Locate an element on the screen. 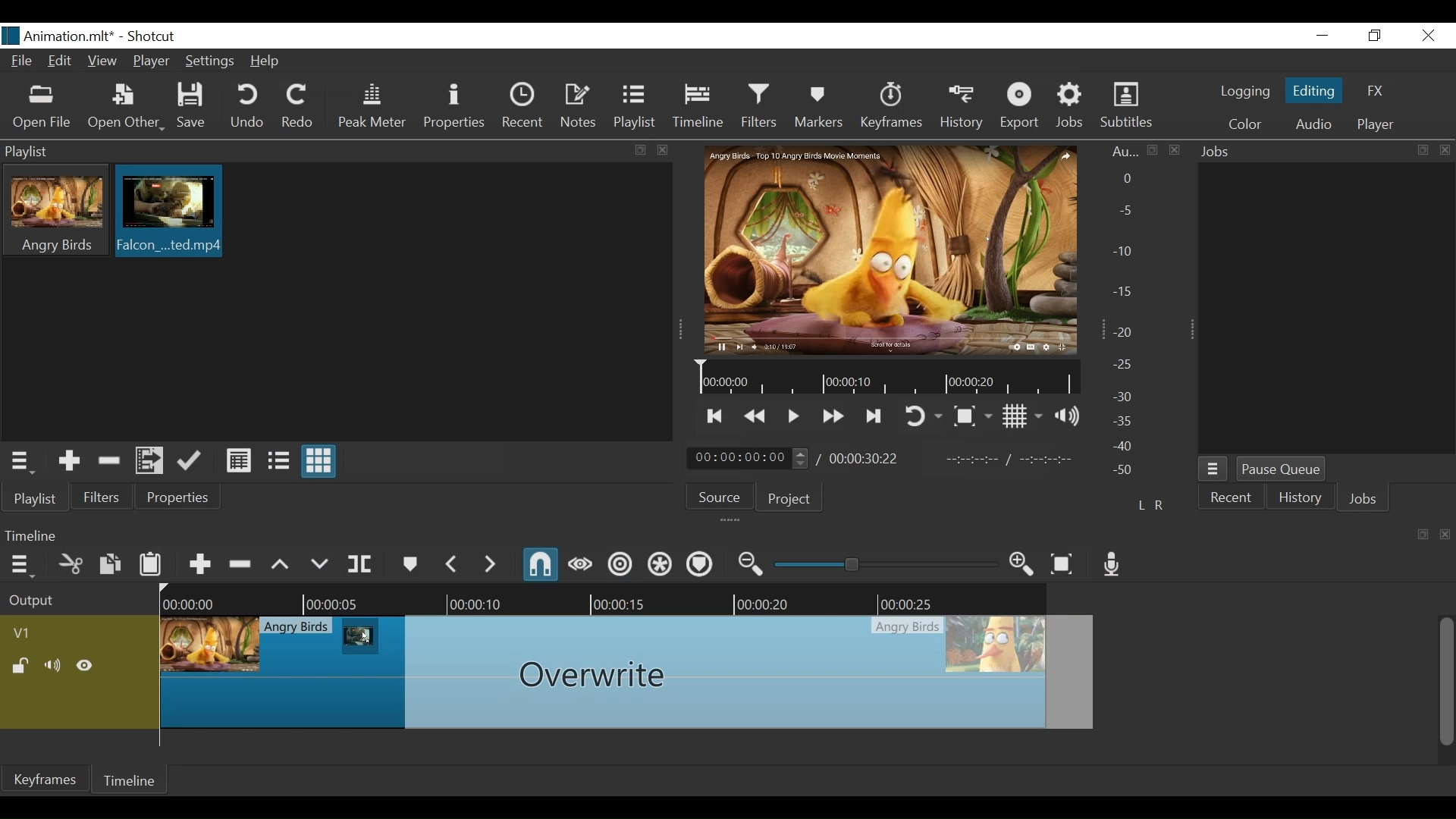 The height and width of the screenshot is (819, 1456). logging is located at coordinates (1244, 93).